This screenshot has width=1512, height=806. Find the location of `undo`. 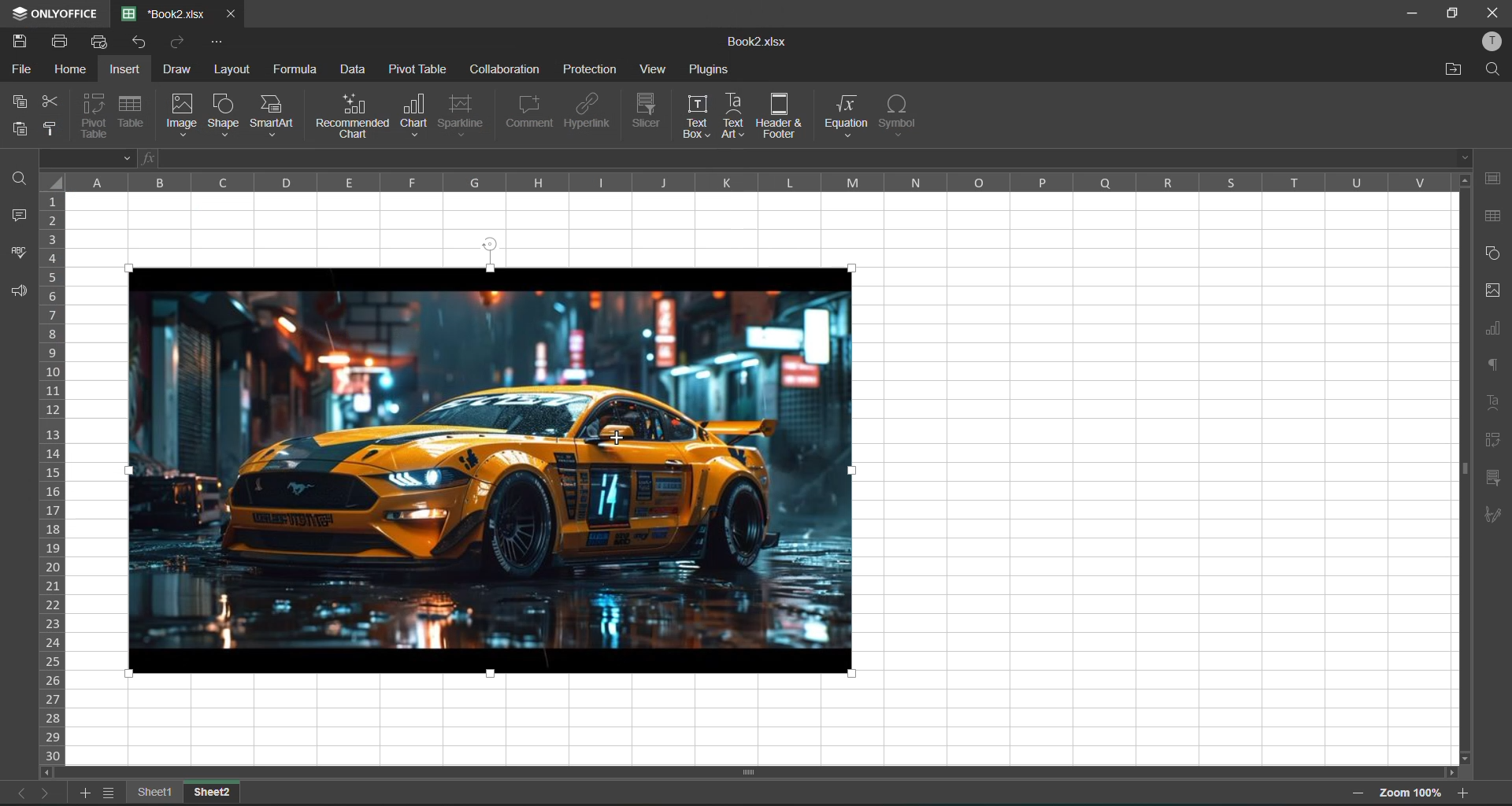

undo is located at coordinates (142, 43).